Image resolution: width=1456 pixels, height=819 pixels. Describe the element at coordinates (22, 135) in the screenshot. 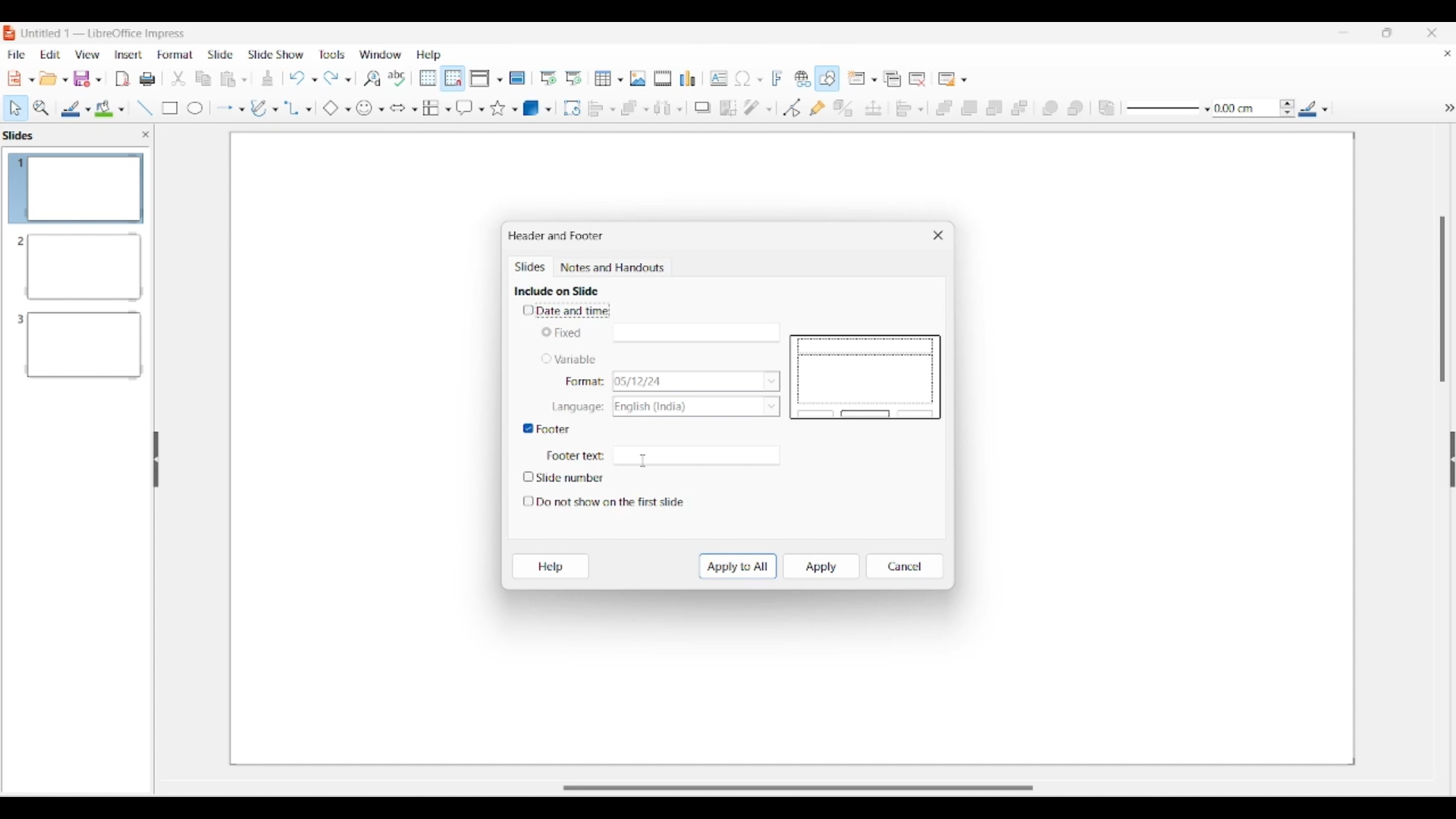

I see `Left pane title` at that location.